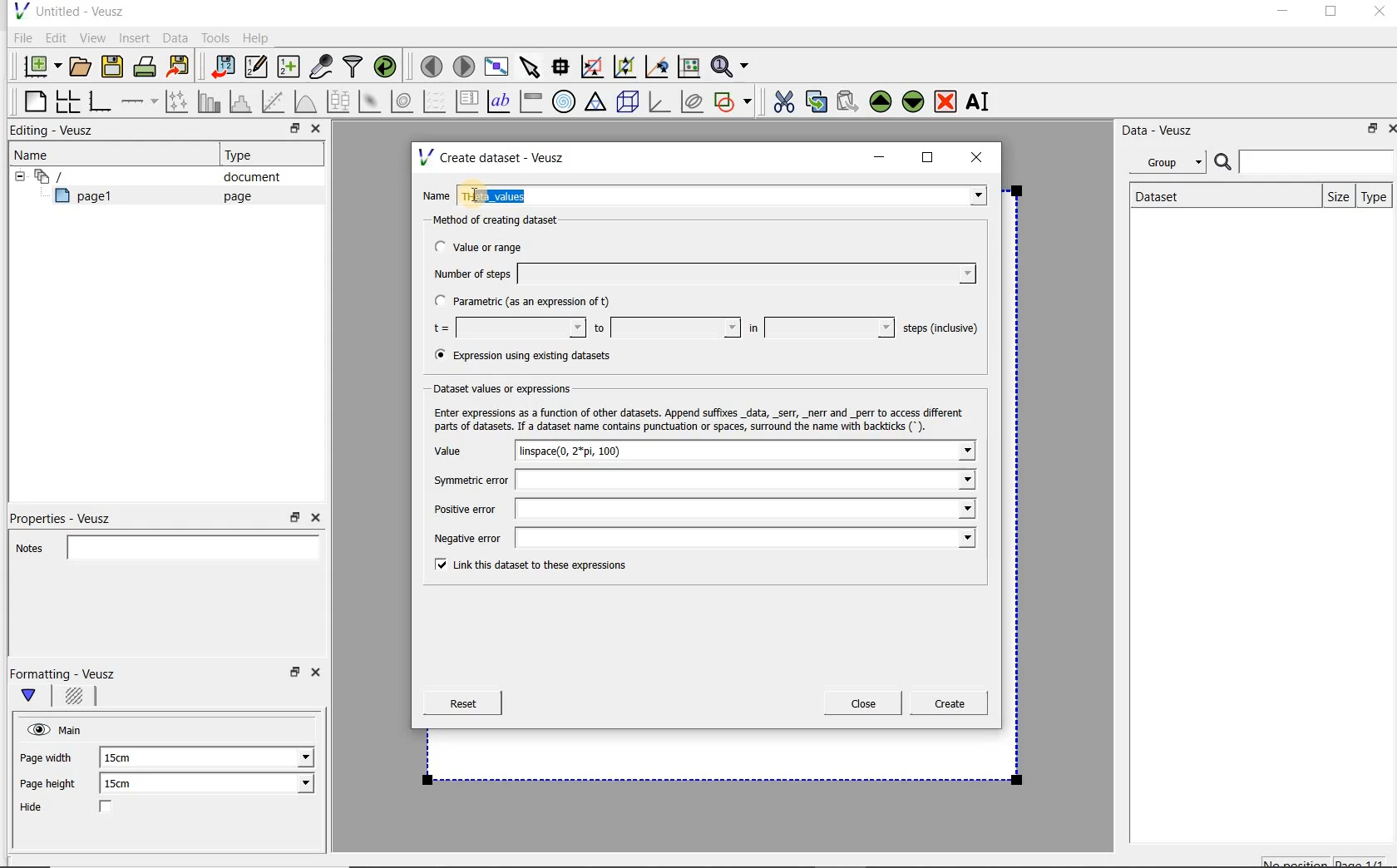 This screenshot has width=1397, height=868. I want to click on hide sub menu, so click(16, 175).